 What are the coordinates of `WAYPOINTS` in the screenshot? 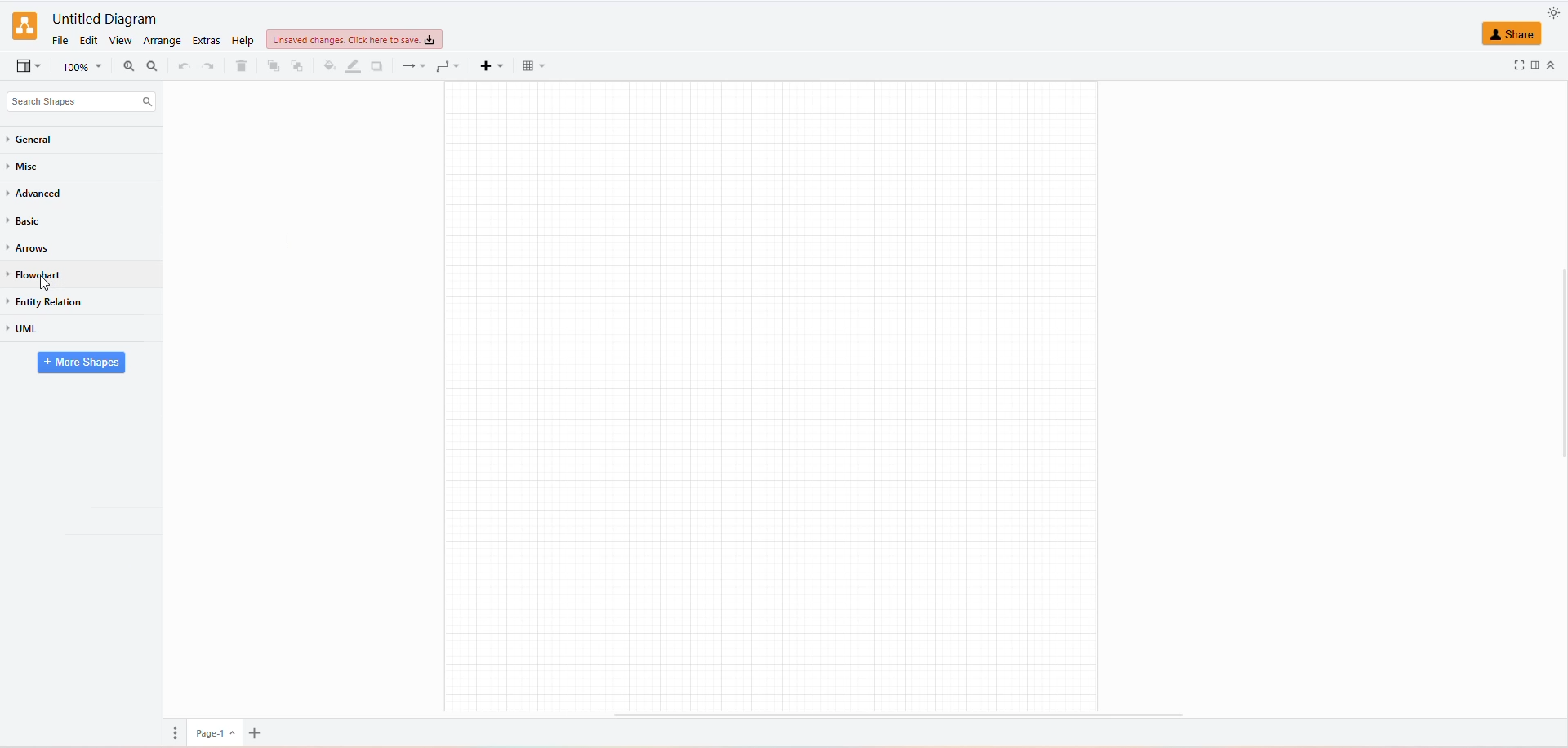 It's located at (445, 65).